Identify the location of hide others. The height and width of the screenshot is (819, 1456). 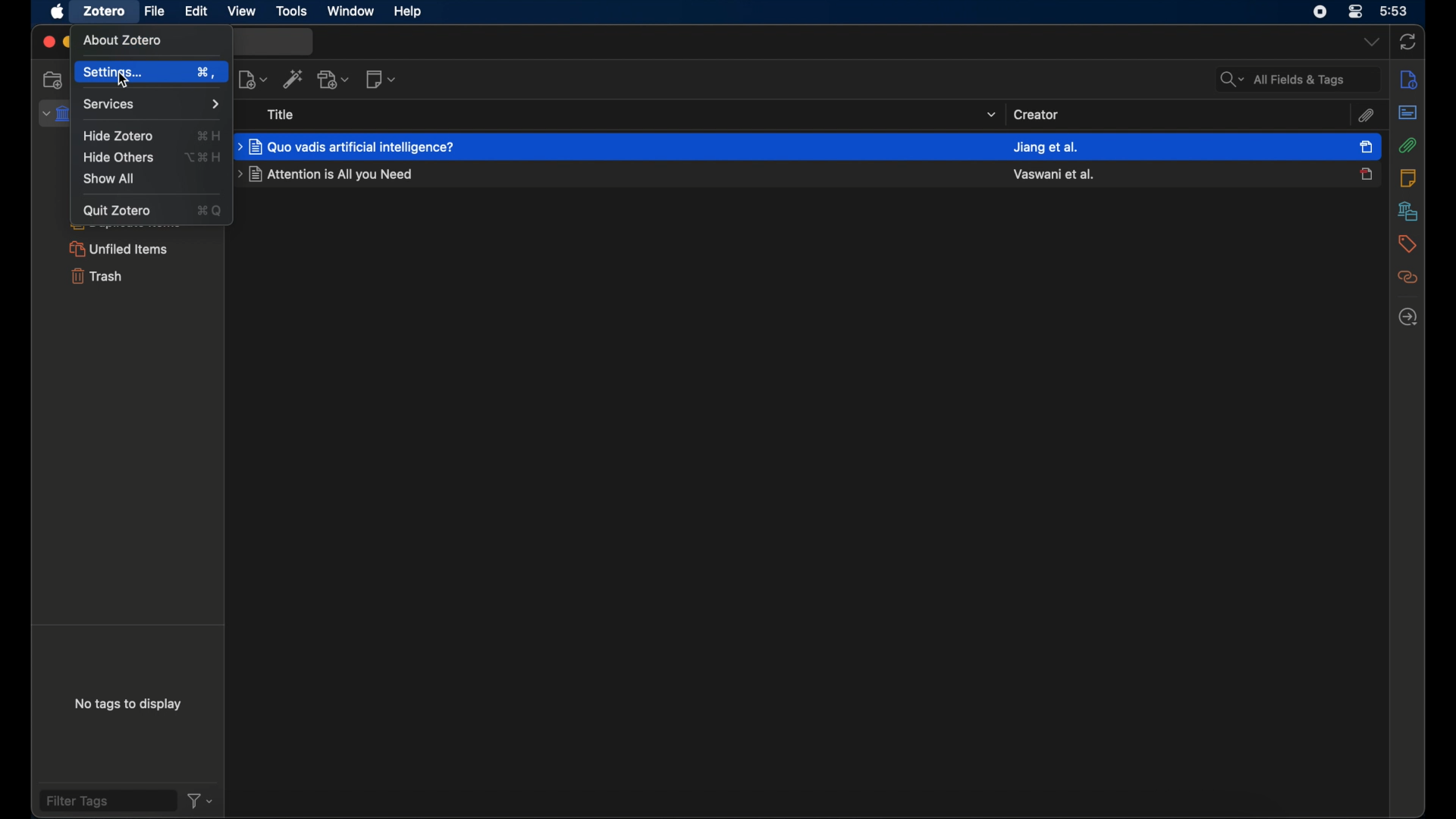
(118, 157).